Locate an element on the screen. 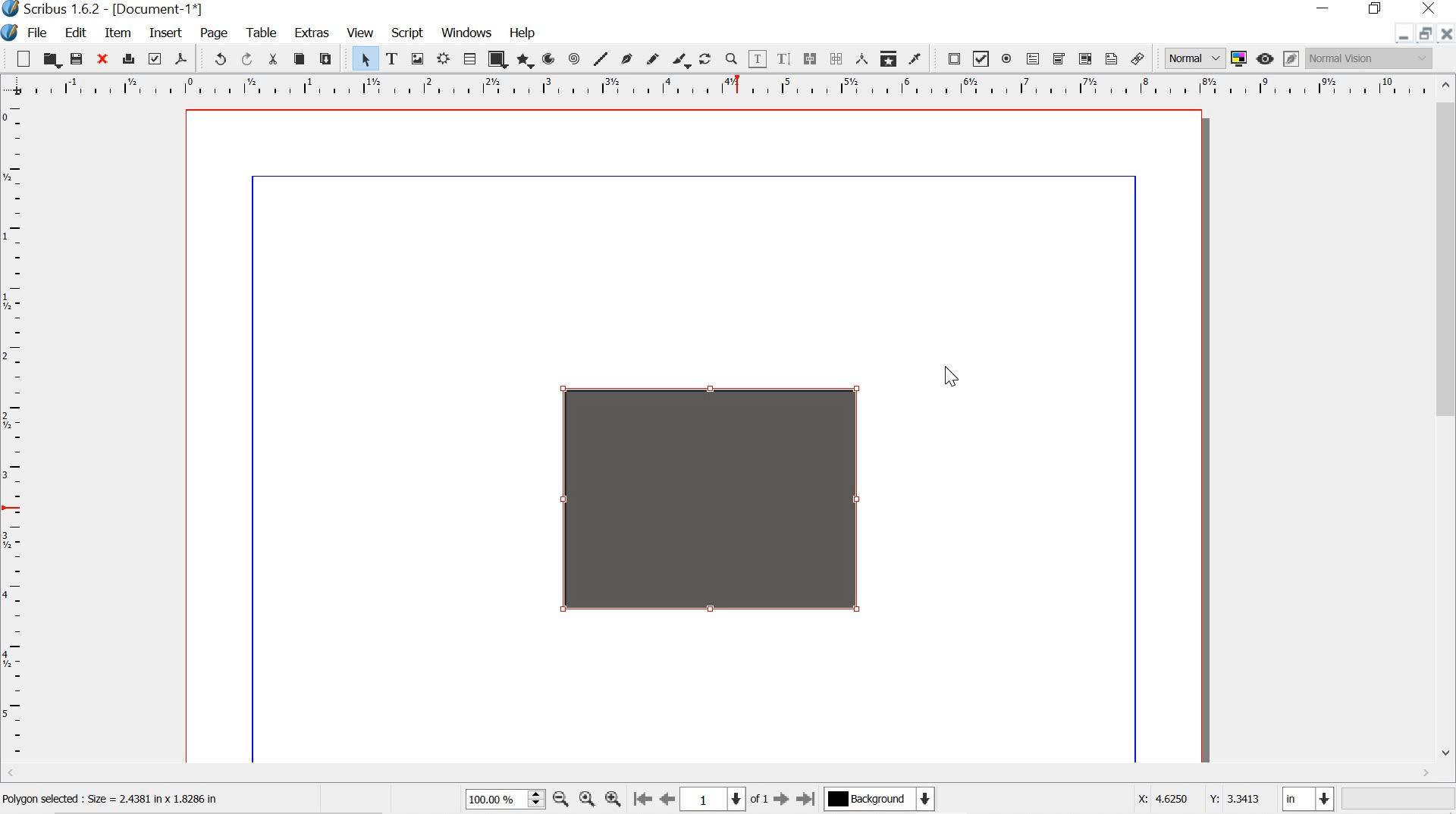  go to next page is located at coordinates (782, 800).